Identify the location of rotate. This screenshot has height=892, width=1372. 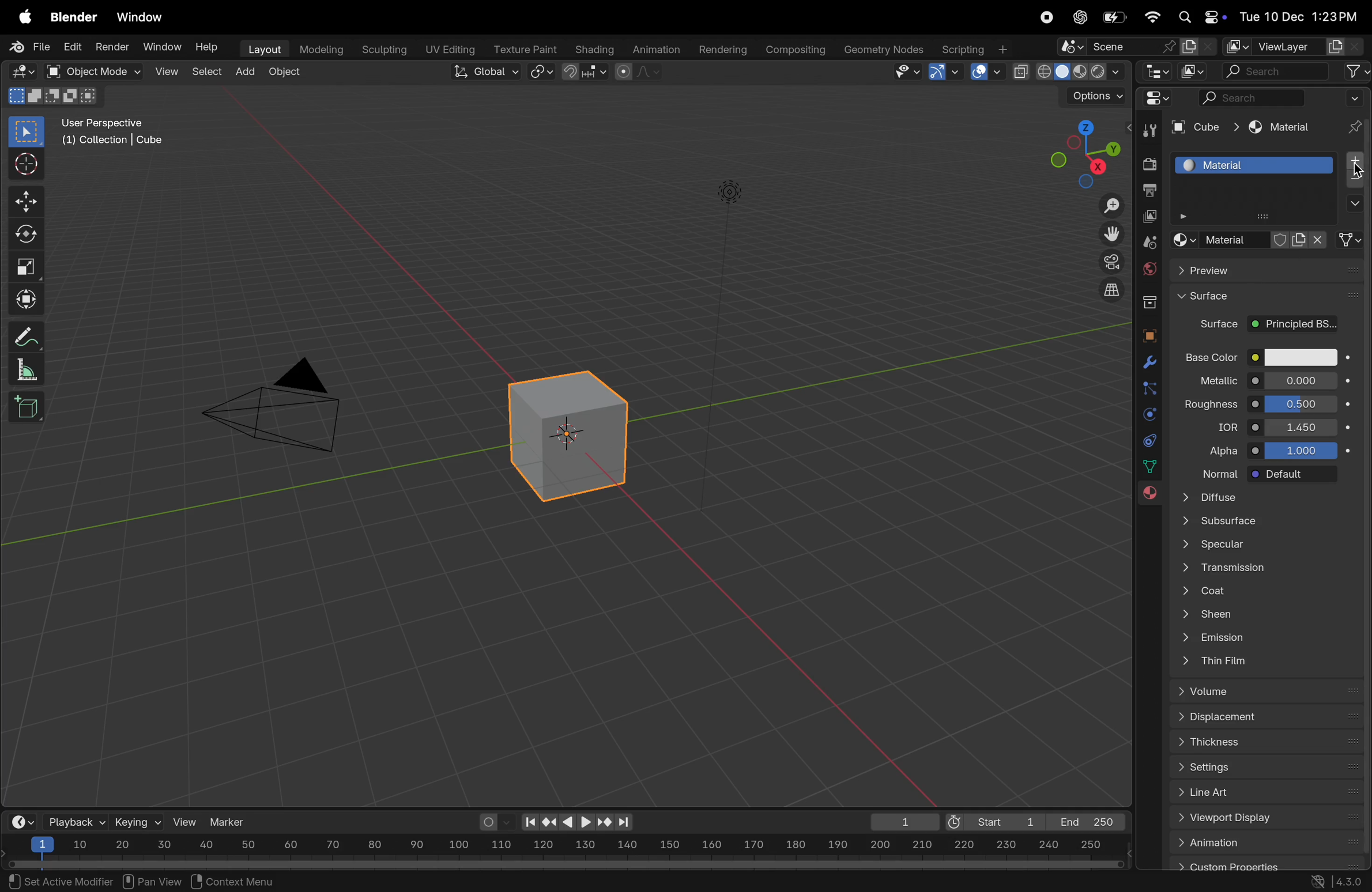
(24, 235).